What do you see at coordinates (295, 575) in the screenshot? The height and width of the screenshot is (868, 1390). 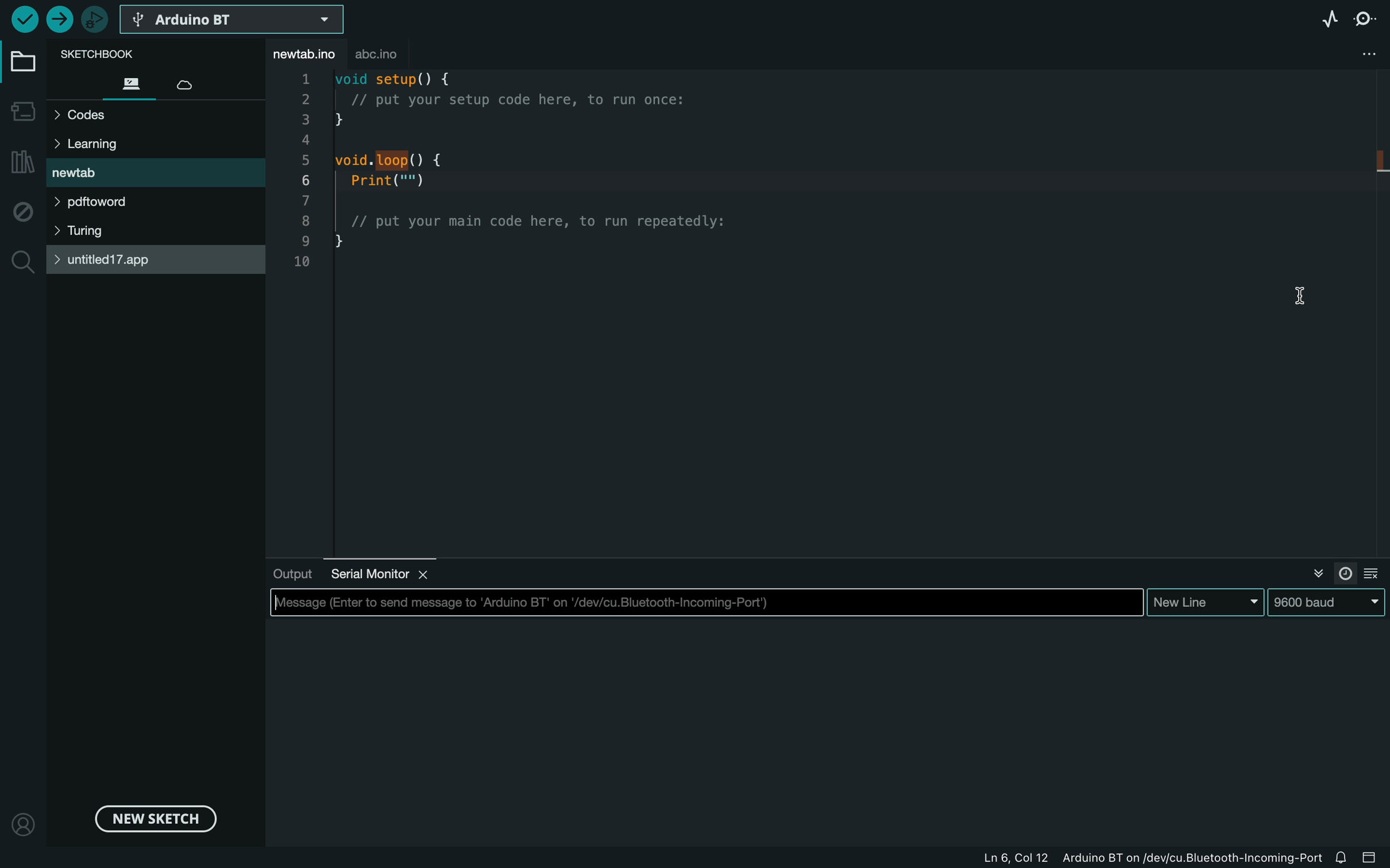 I see `output` at bounding box center [295, 575].